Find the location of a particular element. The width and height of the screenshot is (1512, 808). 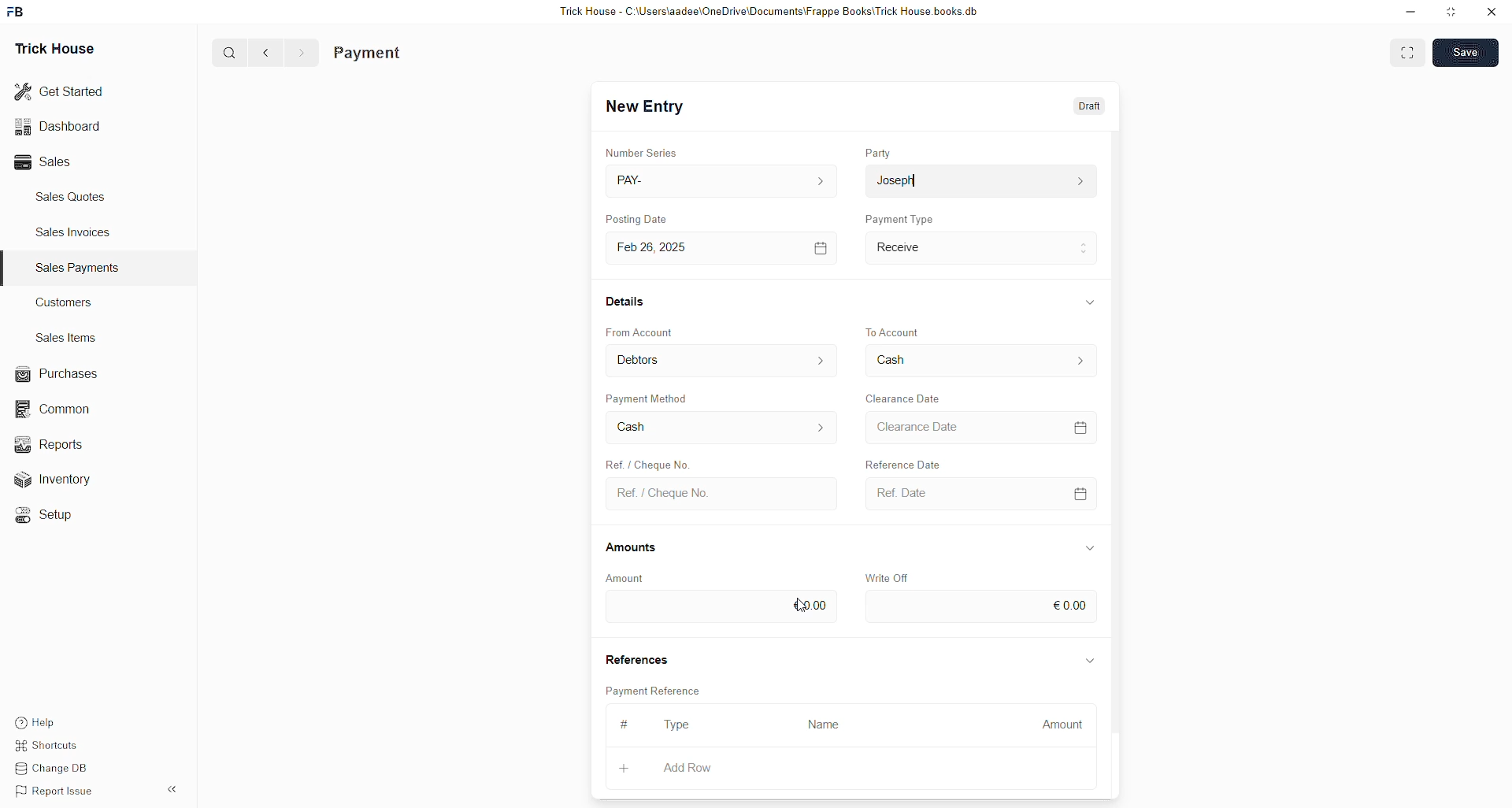

Setup is located at coordinates (51, 517).